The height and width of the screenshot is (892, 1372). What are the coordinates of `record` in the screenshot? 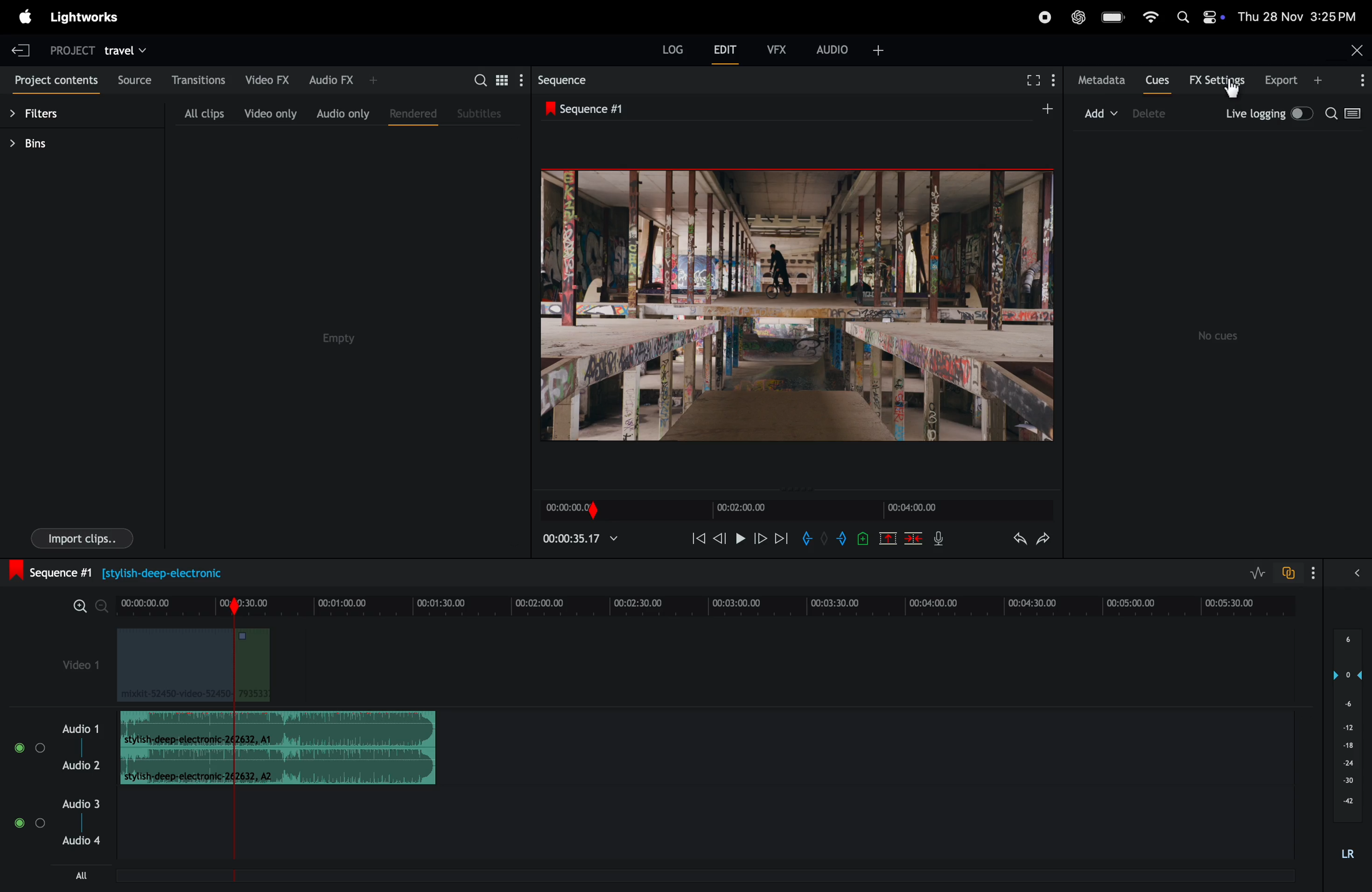 It's located at (1045, 16).